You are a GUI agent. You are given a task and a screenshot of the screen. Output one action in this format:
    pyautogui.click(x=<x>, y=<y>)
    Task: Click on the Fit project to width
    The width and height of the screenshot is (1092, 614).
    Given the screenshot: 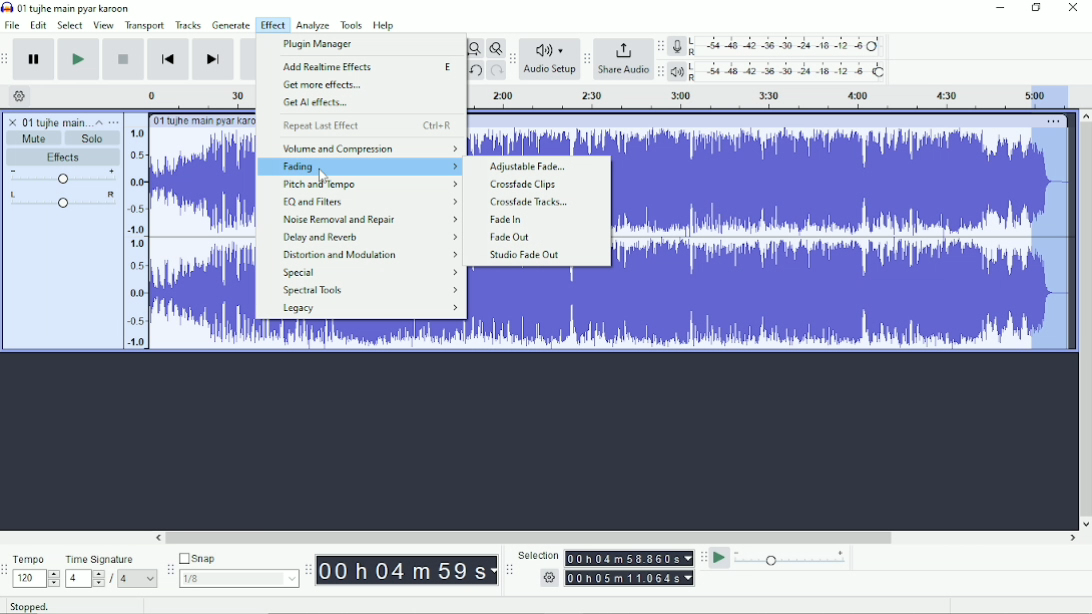 What is the action you would take?
    pyautogui.click(x=474, y=48)
    